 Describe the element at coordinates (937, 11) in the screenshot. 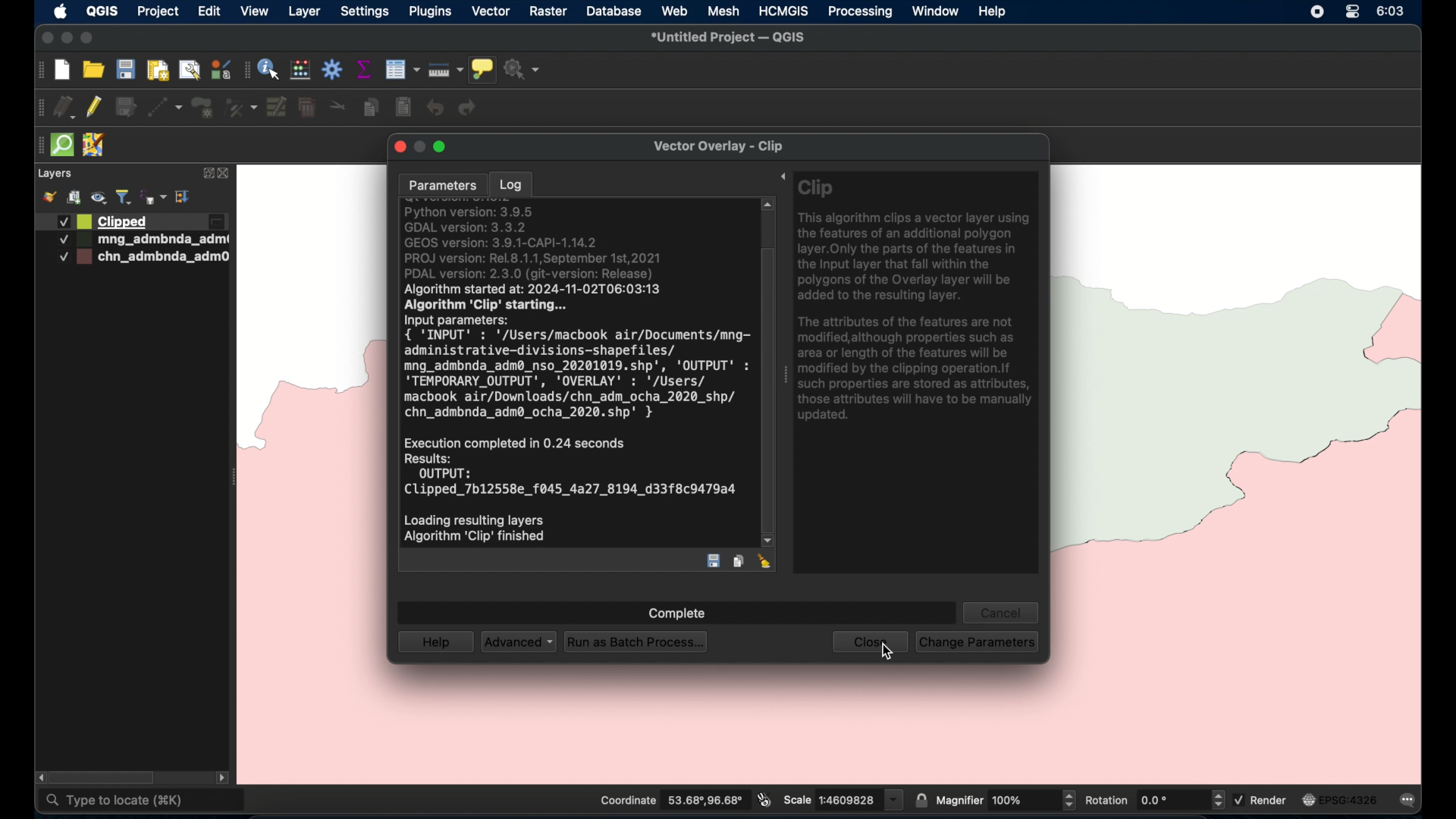

I see `window` at that location.